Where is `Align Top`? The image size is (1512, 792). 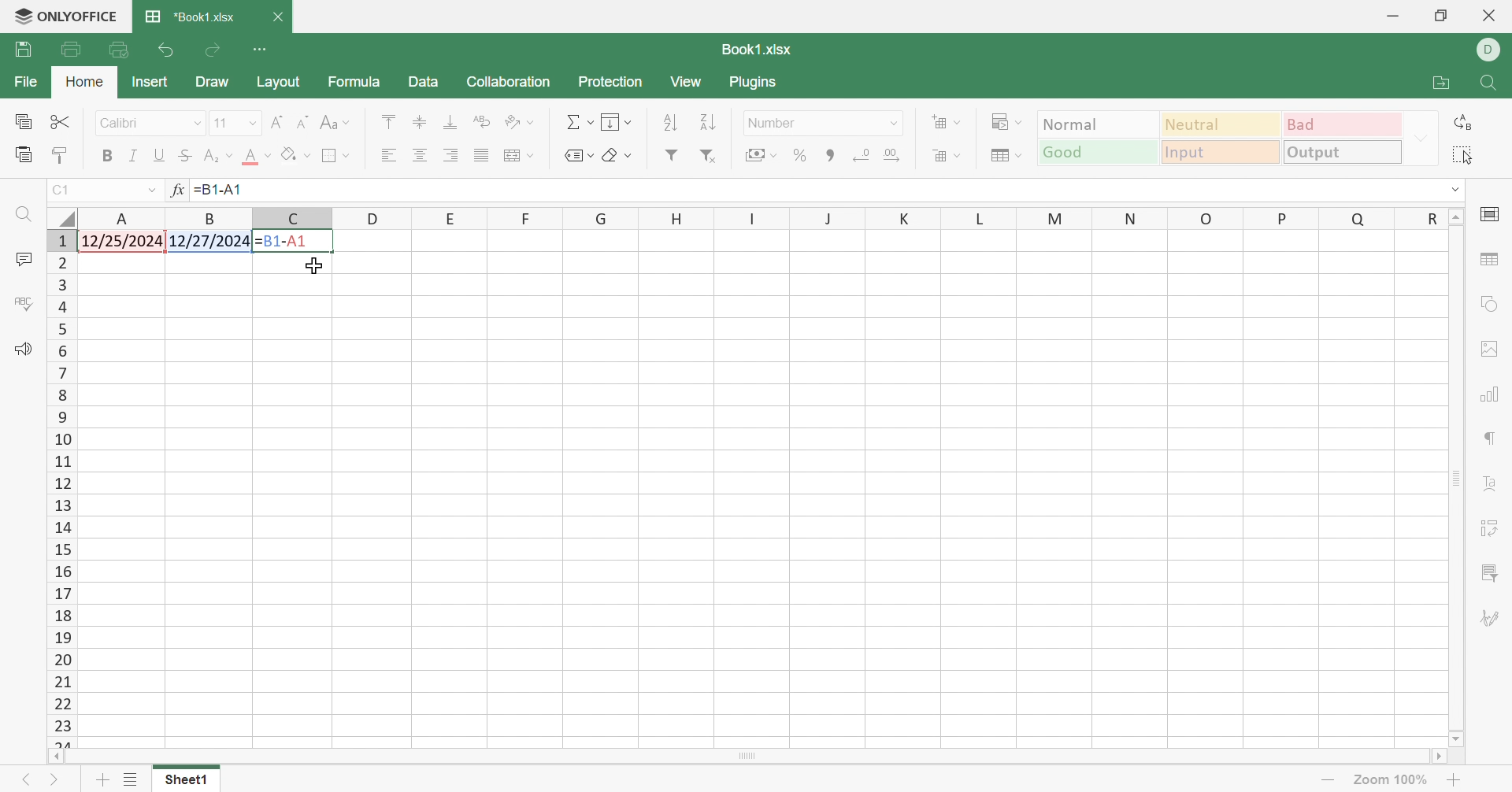
Align Top is located at coordinates (390, 120).